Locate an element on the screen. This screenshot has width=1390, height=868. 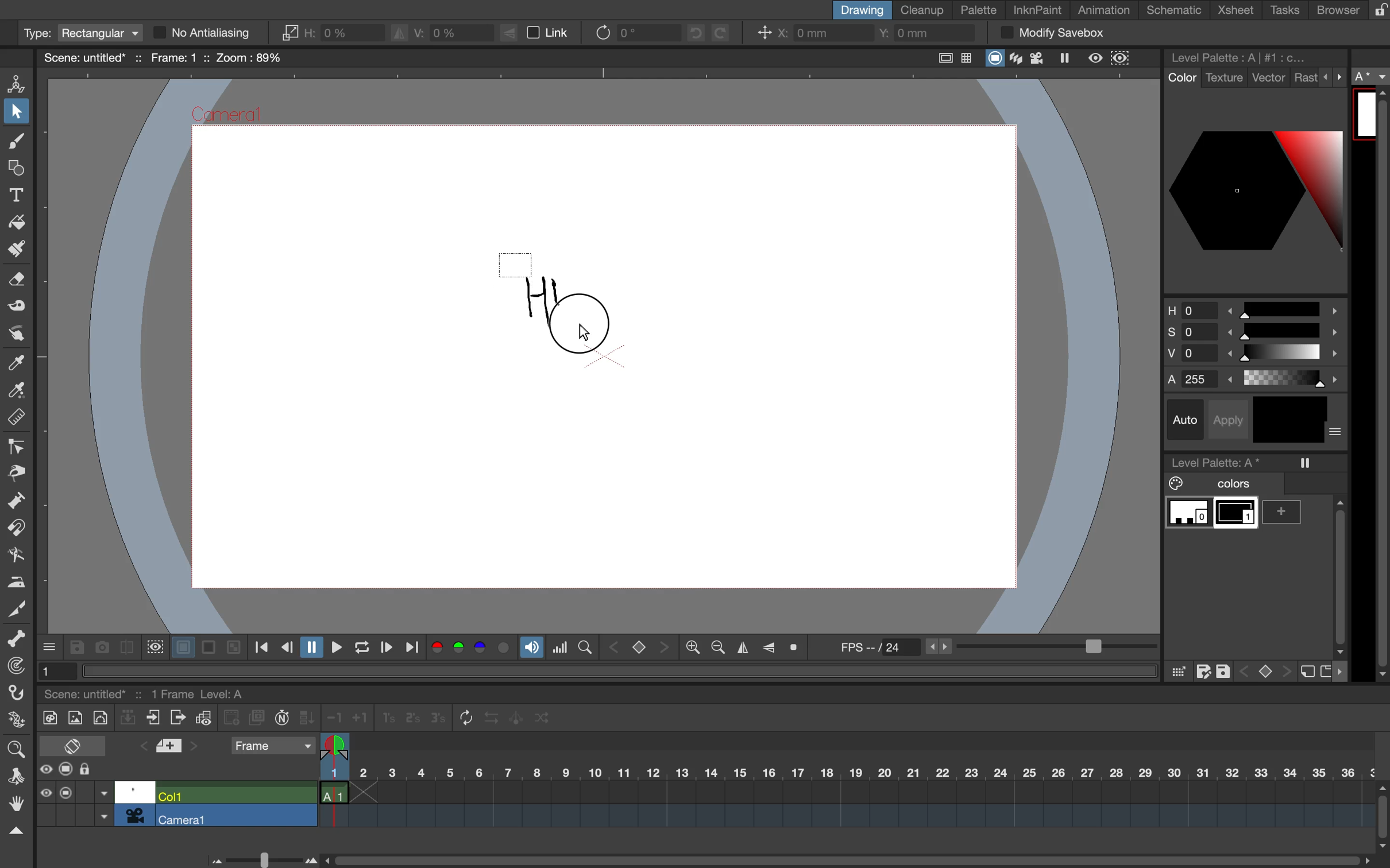
rast is located at coordinates (1305, 79).